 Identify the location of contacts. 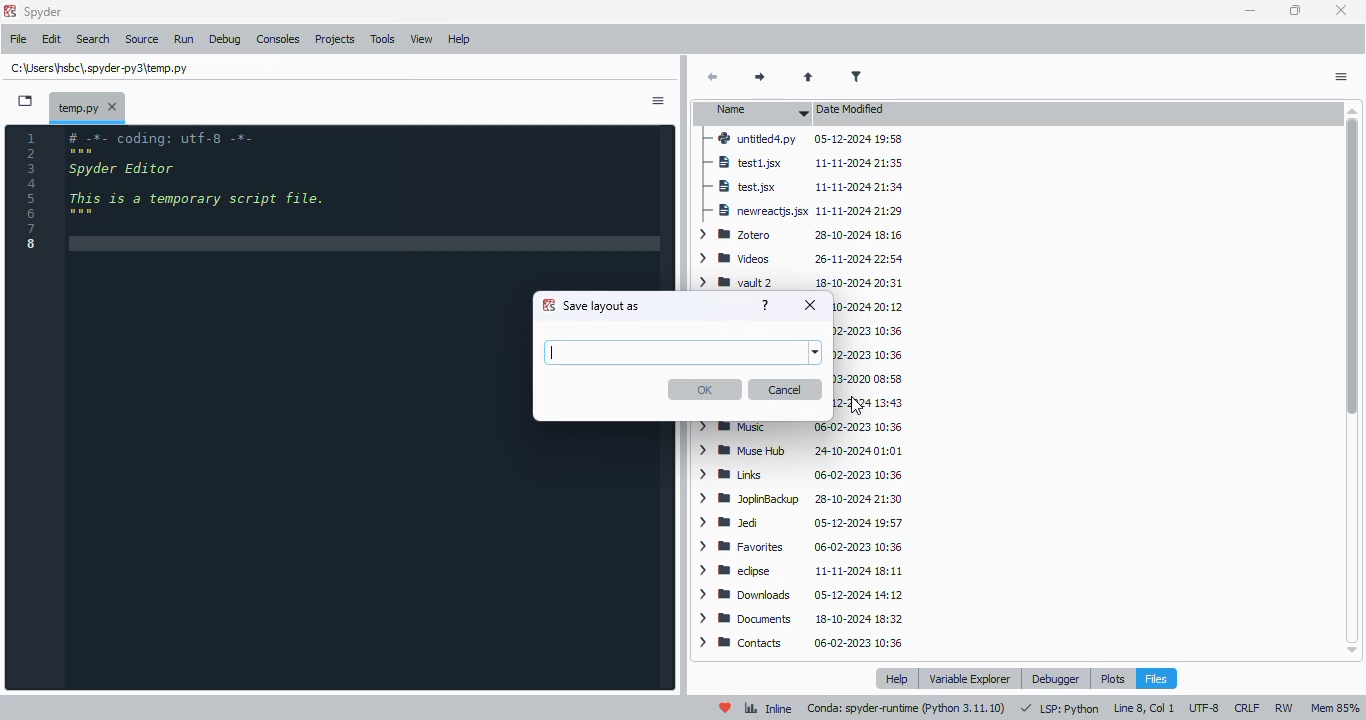
(806, 643).